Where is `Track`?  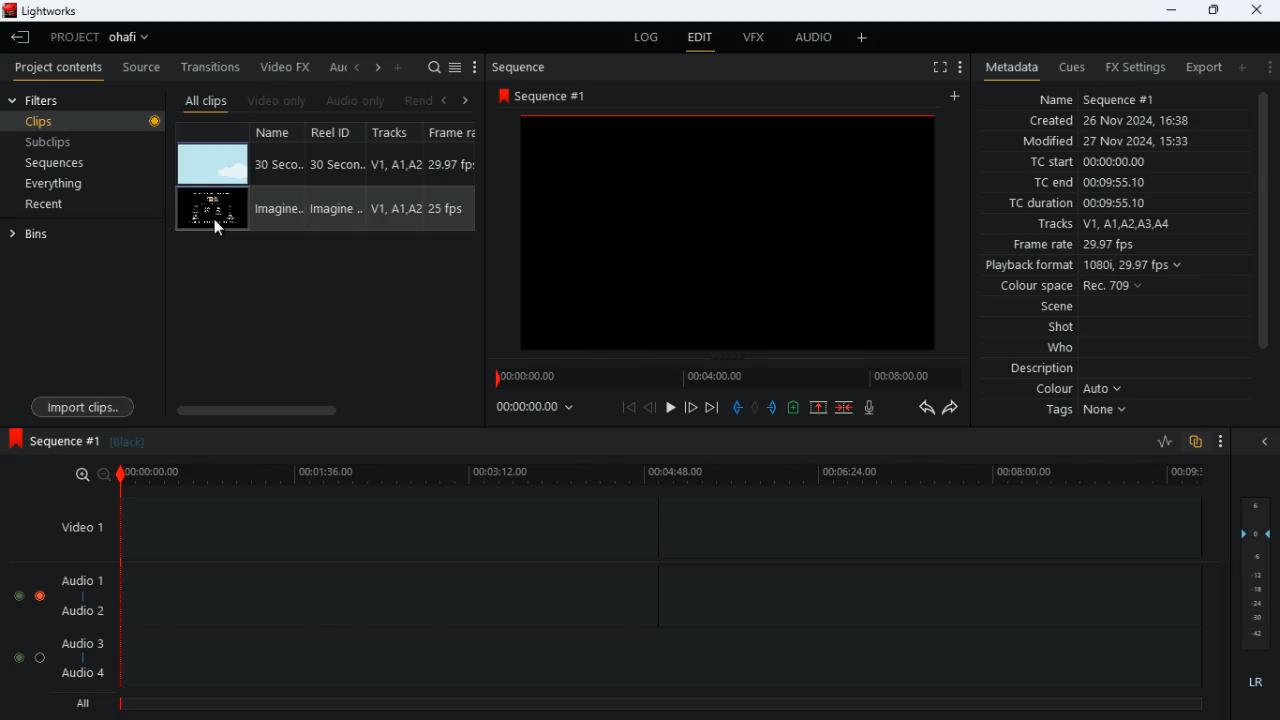
Track is located at coordinates (398, 164).